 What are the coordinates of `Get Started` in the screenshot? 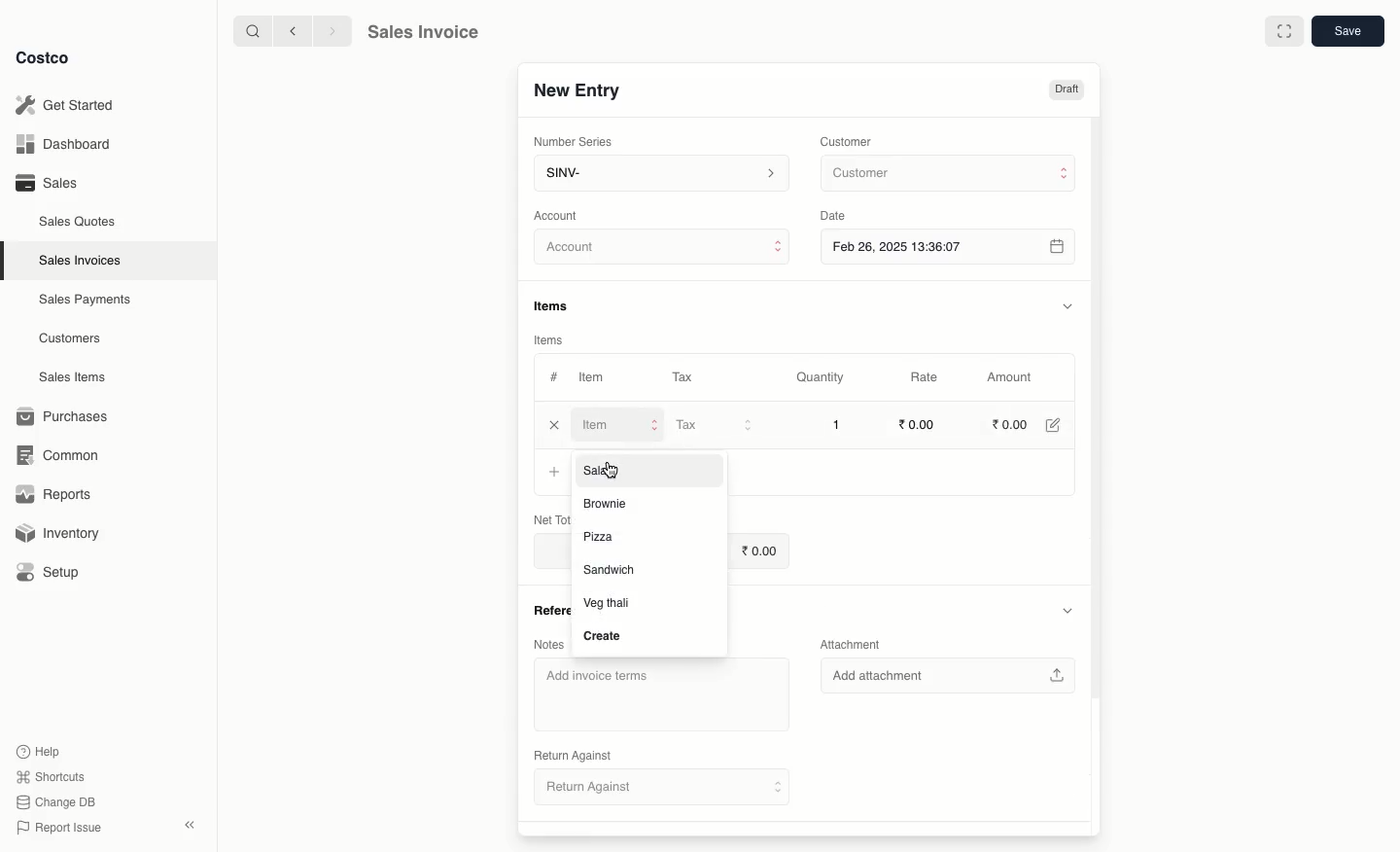 It's located at (64, 104).